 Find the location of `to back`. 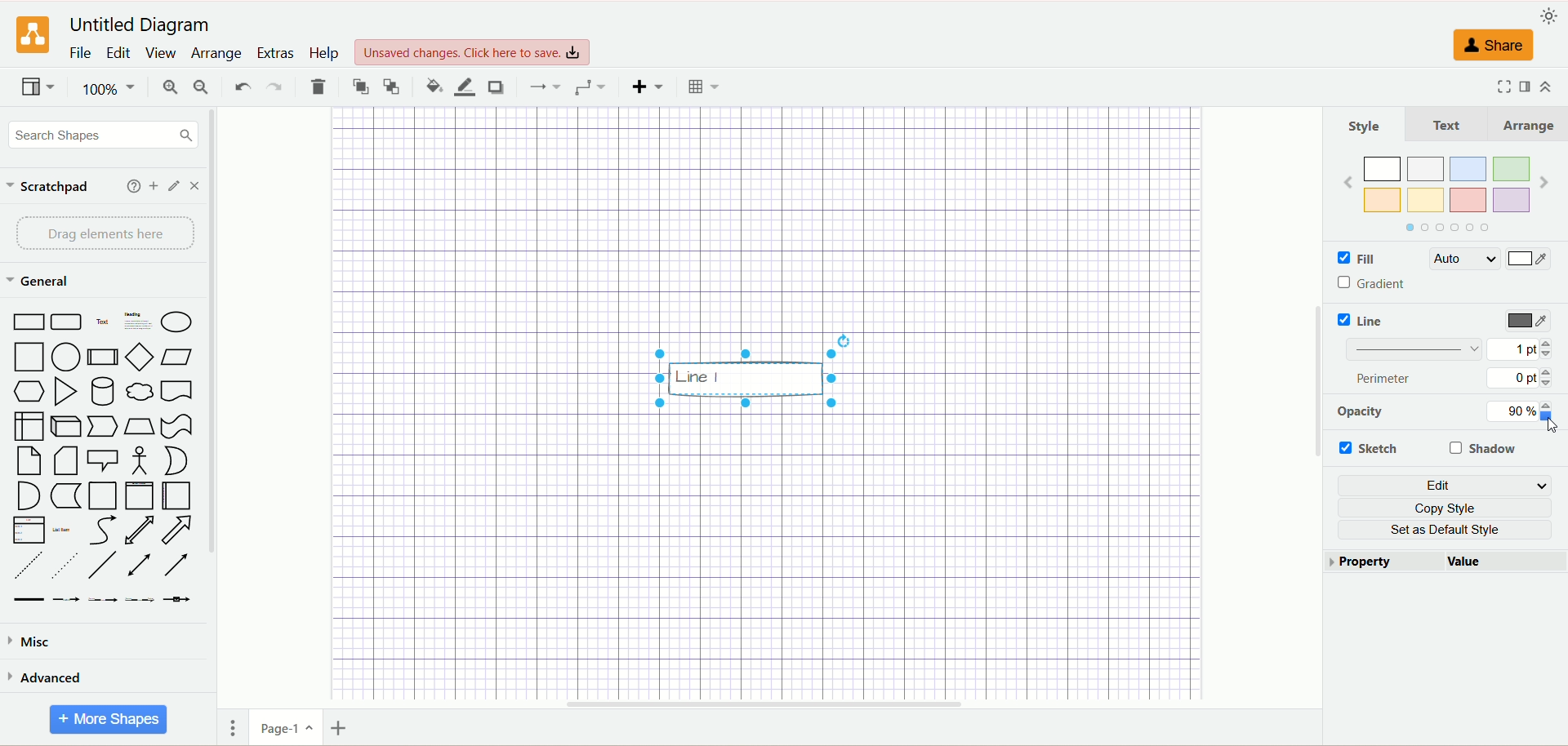

to back is located at coordinates (393, 87).